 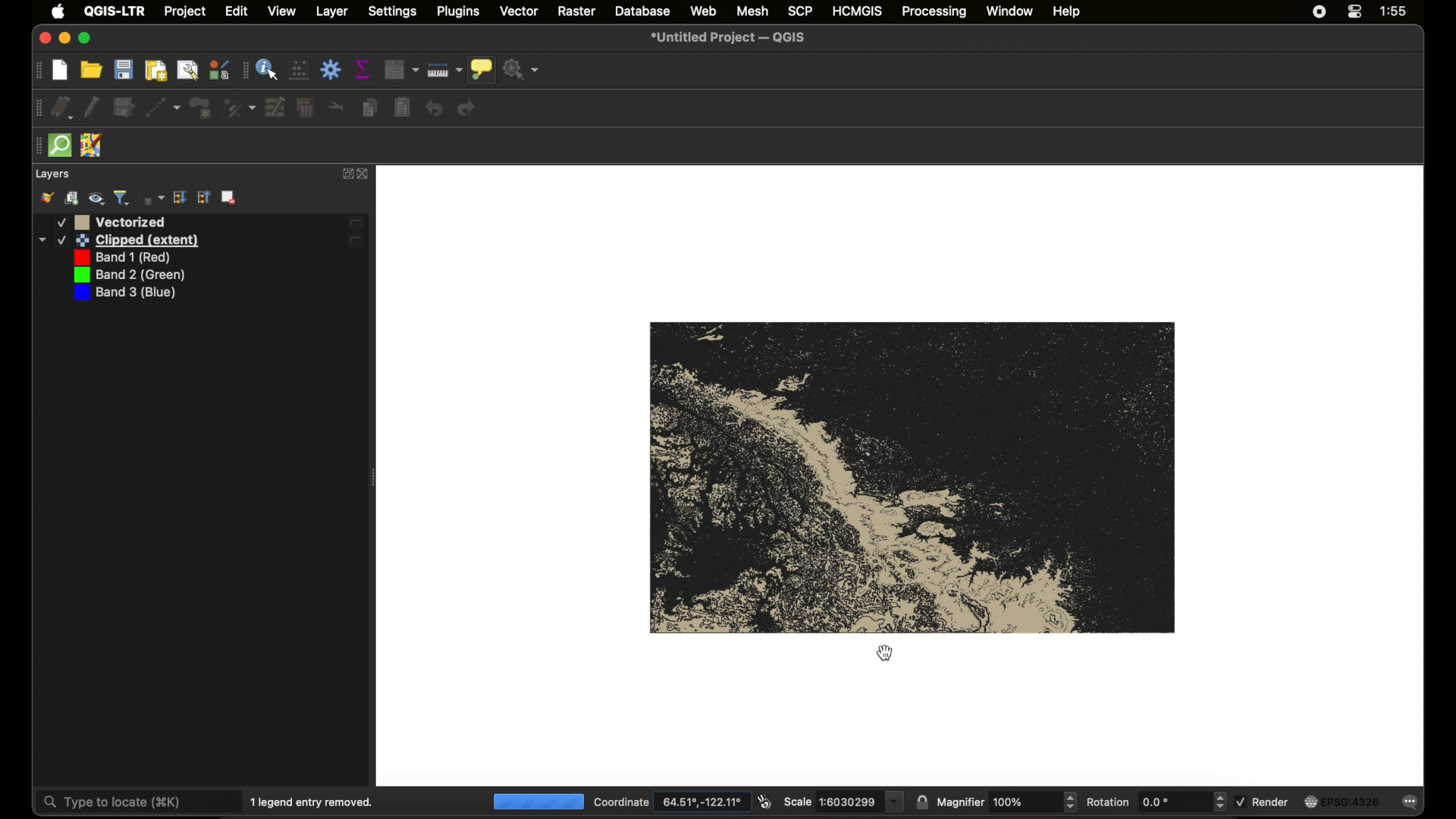 What do you see at coordinates (124, 276) in the screenshot?
I see `band 3` at bounding box center [124, 276].